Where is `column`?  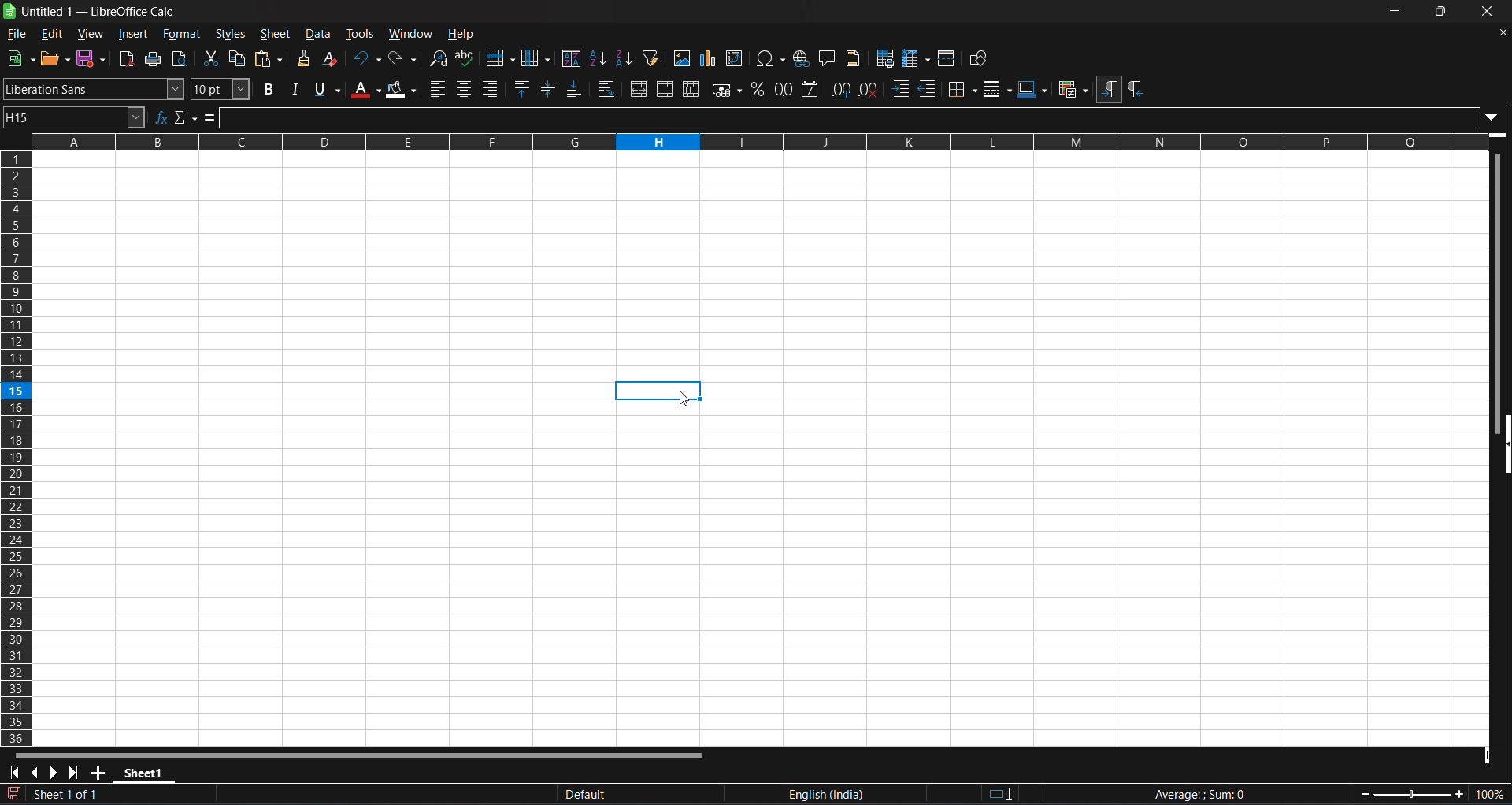 column is located at coordinates (536, 58).